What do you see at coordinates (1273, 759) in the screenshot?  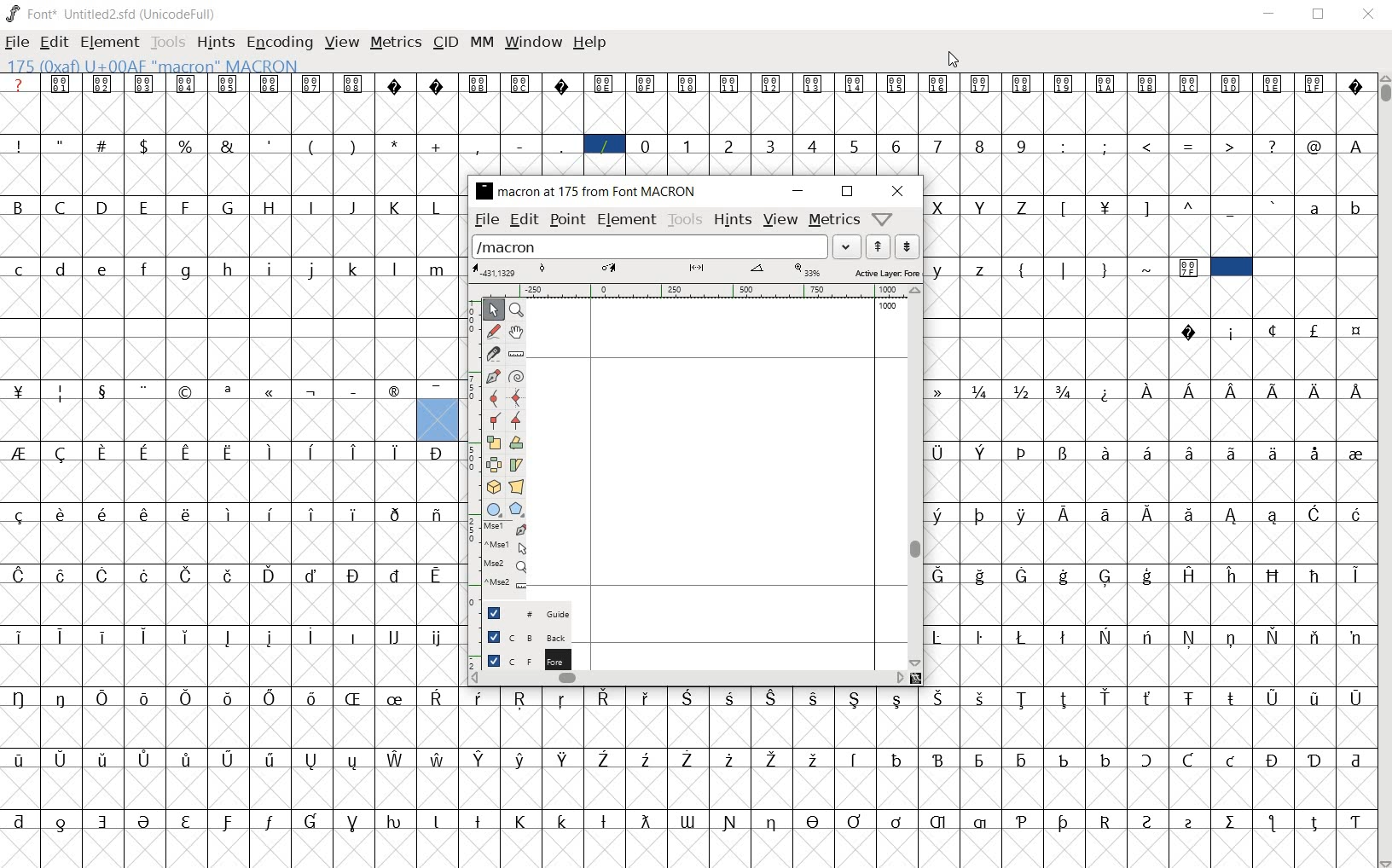 I see `Symbol` at bounding box center [1273, 759].